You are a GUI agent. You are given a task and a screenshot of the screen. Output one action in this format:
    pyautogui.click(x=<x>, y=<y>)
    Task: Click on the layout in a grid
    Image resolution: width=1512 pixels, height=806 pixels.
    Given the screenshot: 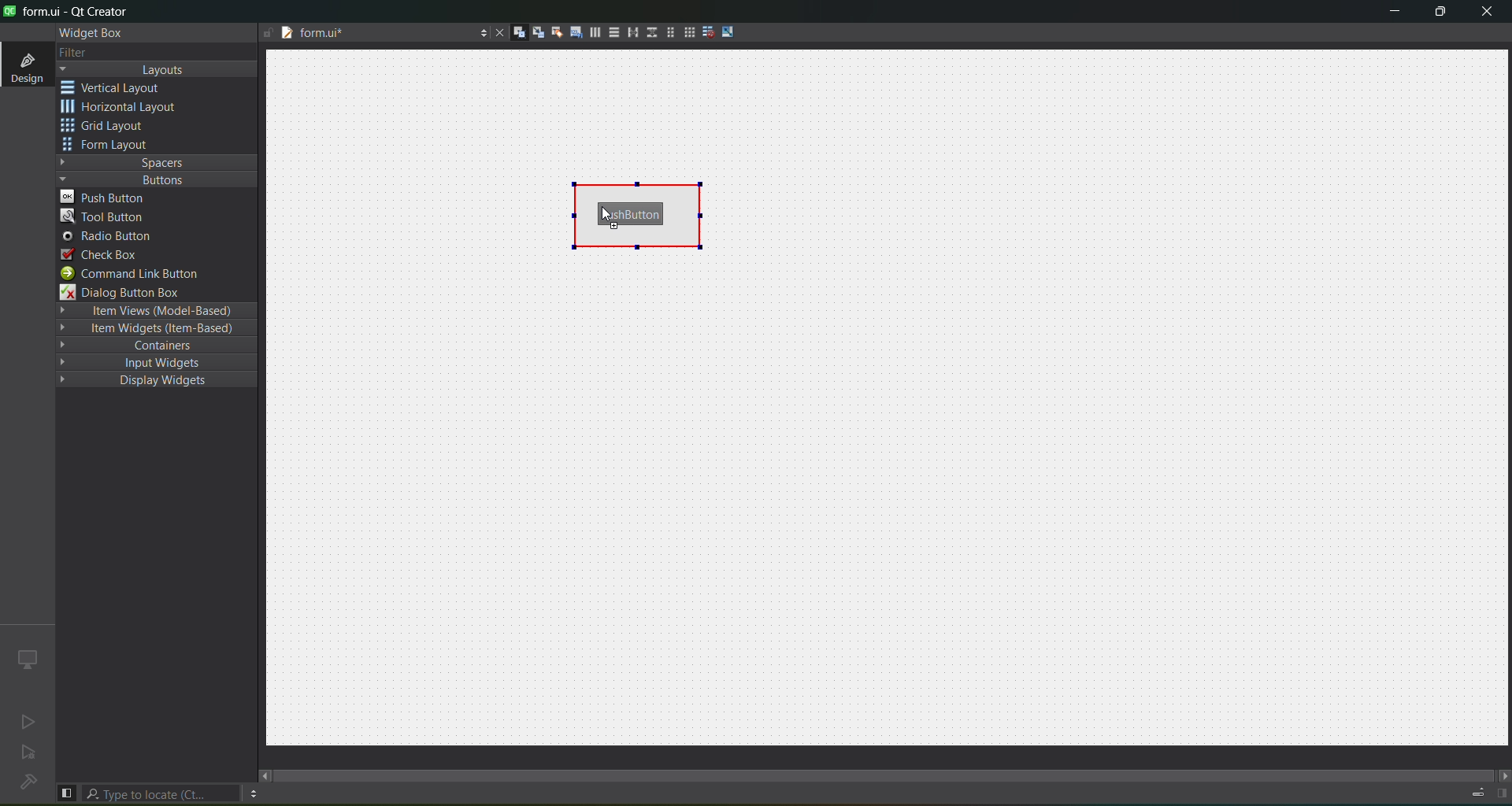 What is the action you would take?
    pyautogui.click(x=688, y=34)
    